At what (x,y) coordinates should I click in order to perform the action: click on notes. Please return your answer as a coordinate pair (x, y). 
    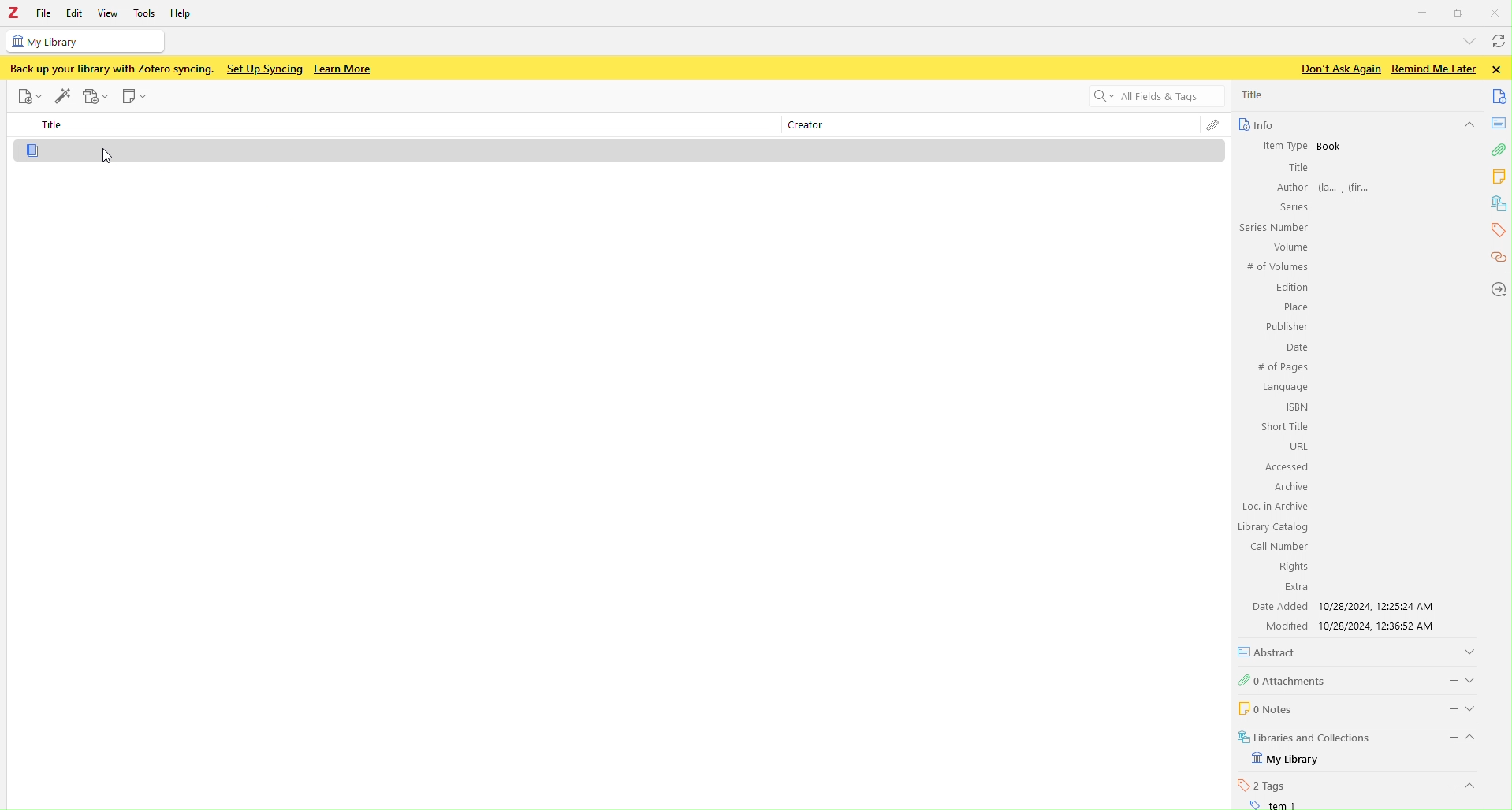
    Looking at the image, I should click on (1500, 176).